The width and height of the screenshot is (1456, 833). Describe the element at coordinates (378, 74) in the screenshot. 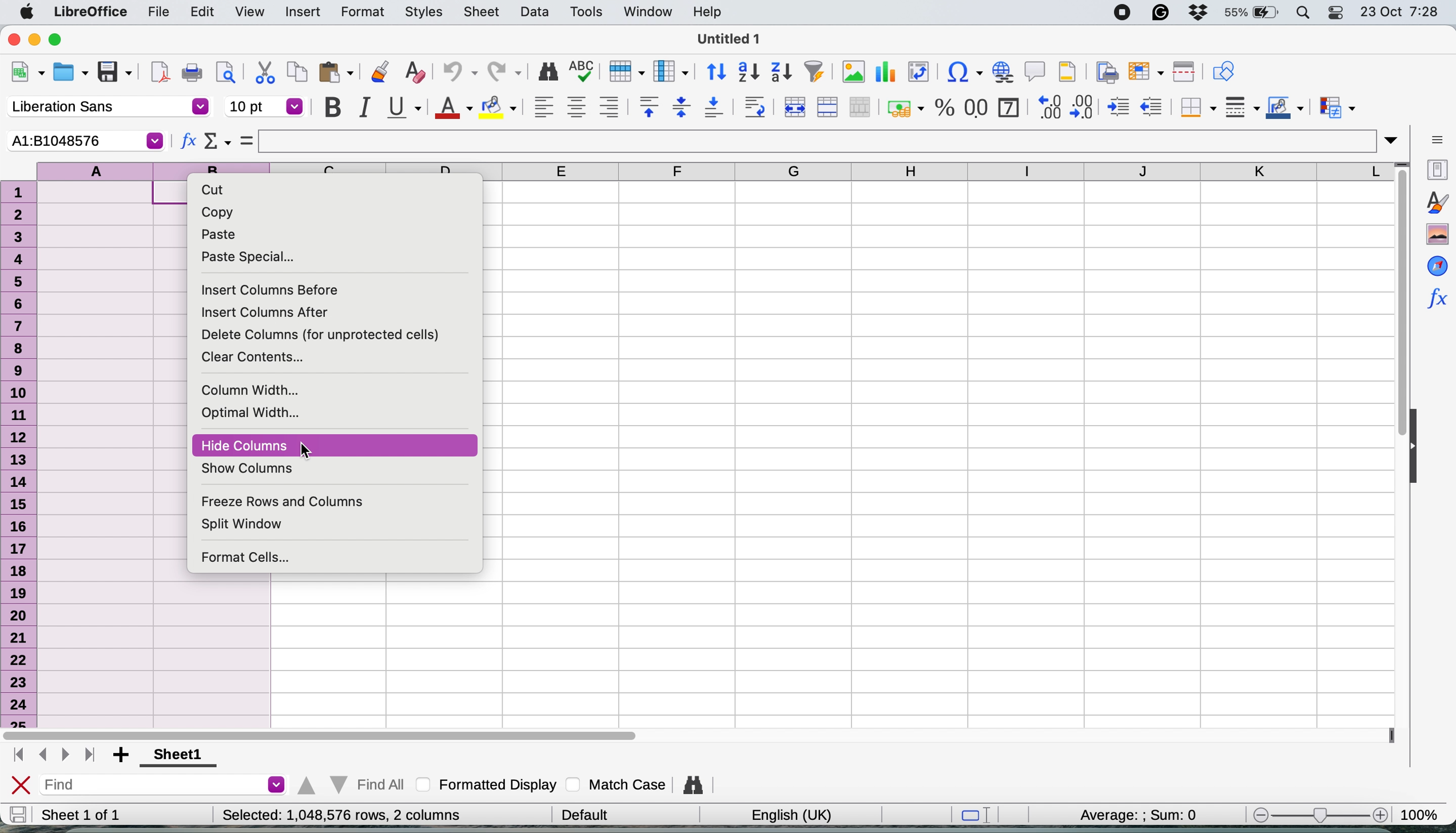

I see `clone formatting` at that location.